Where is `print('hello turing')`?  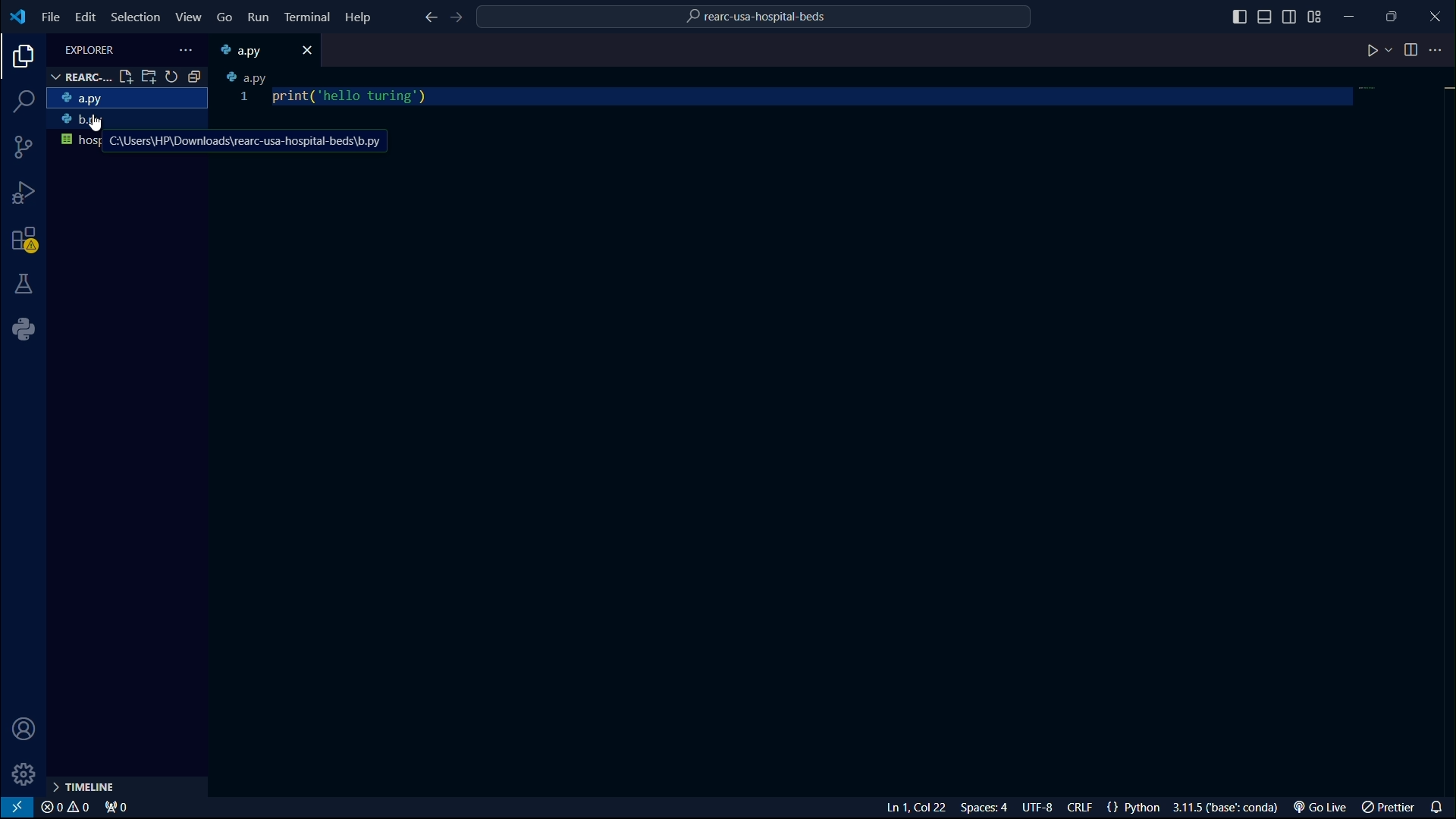
print('hello turing') is located at coordinates (353, 96).